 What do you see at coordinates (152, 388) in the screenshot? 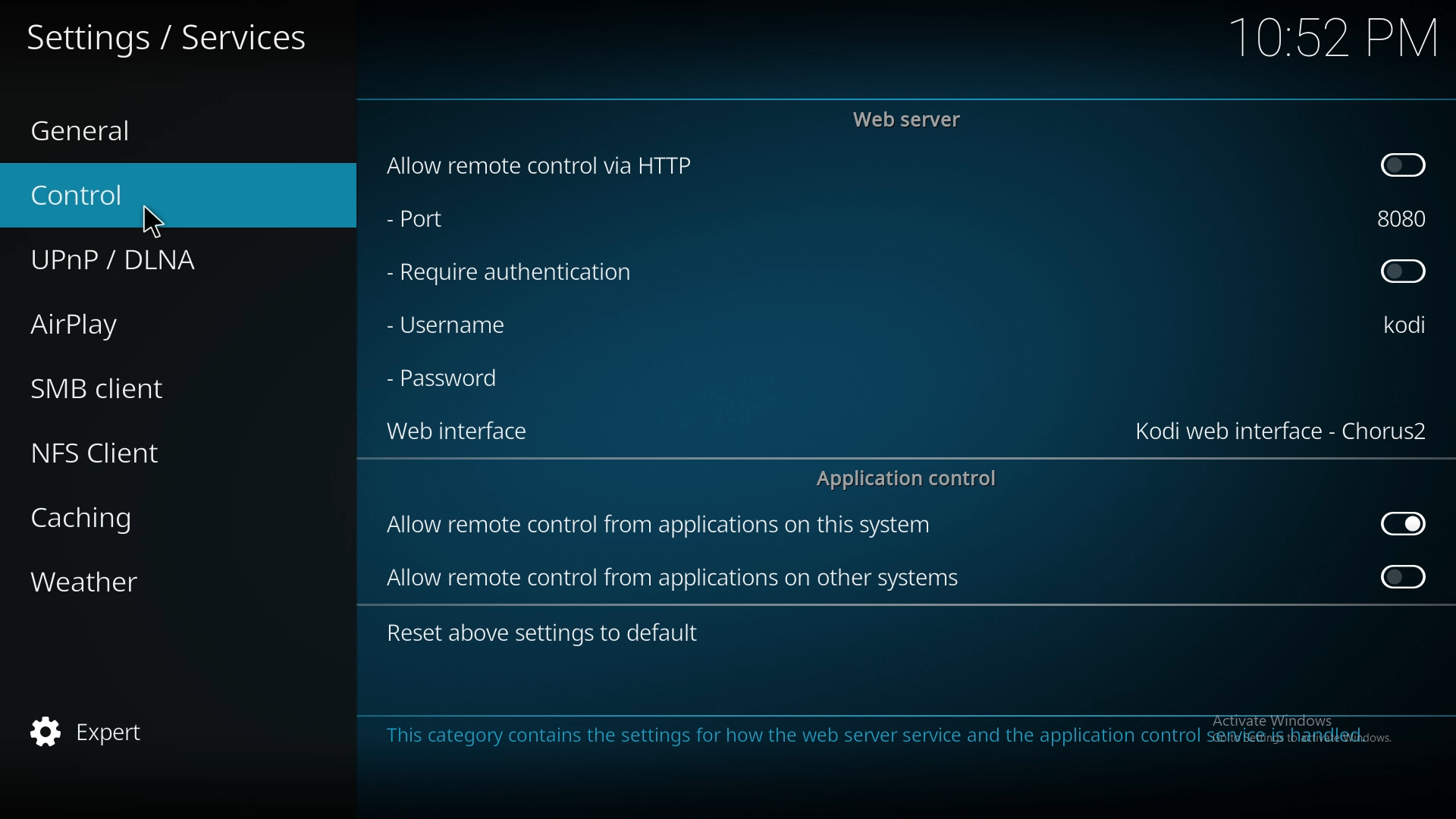
I see `smb client` at bounding box center [152, 388].